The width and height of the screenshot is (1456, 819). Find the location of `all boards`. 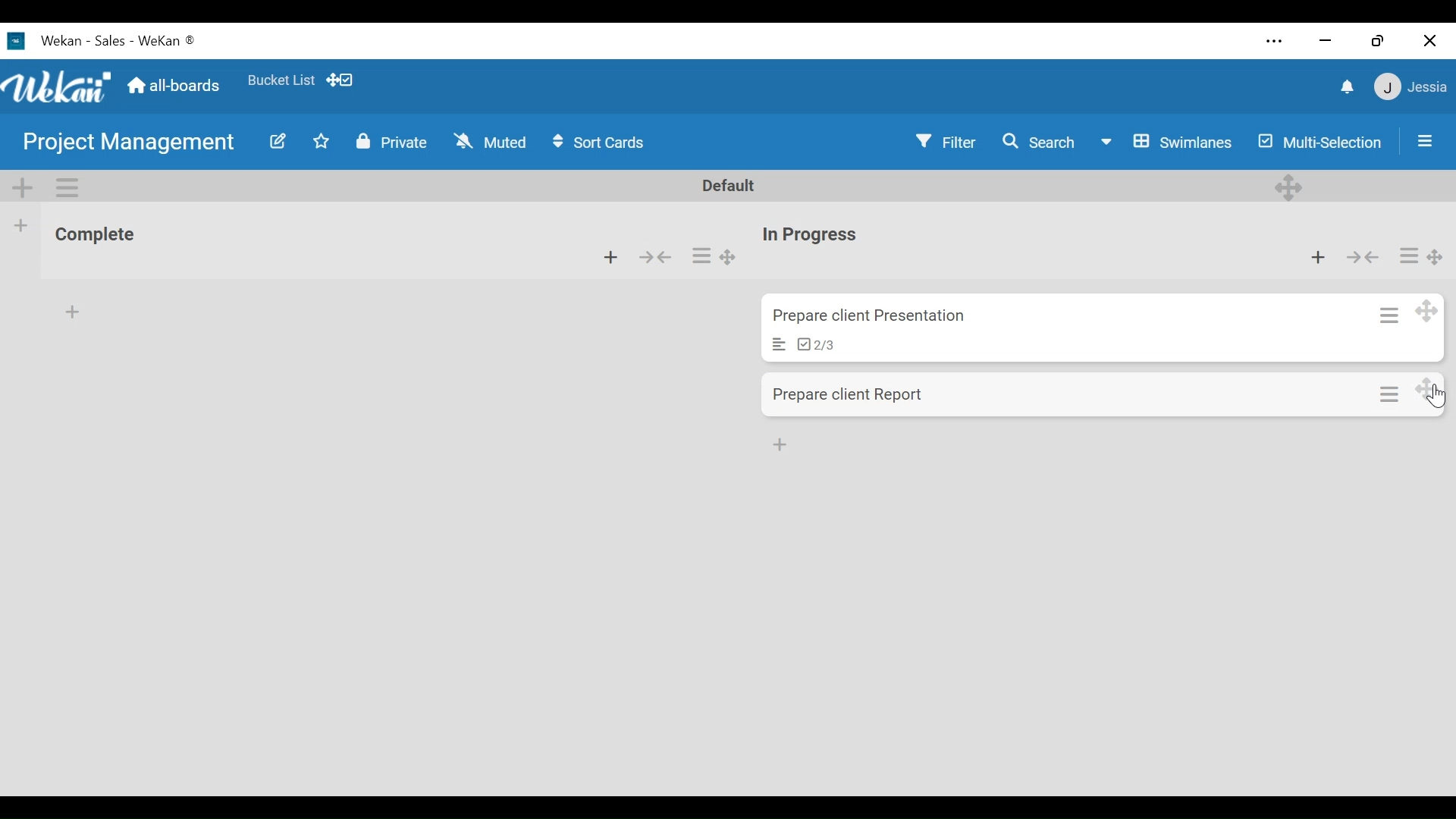

all boards is located at coordinates (175, 85).